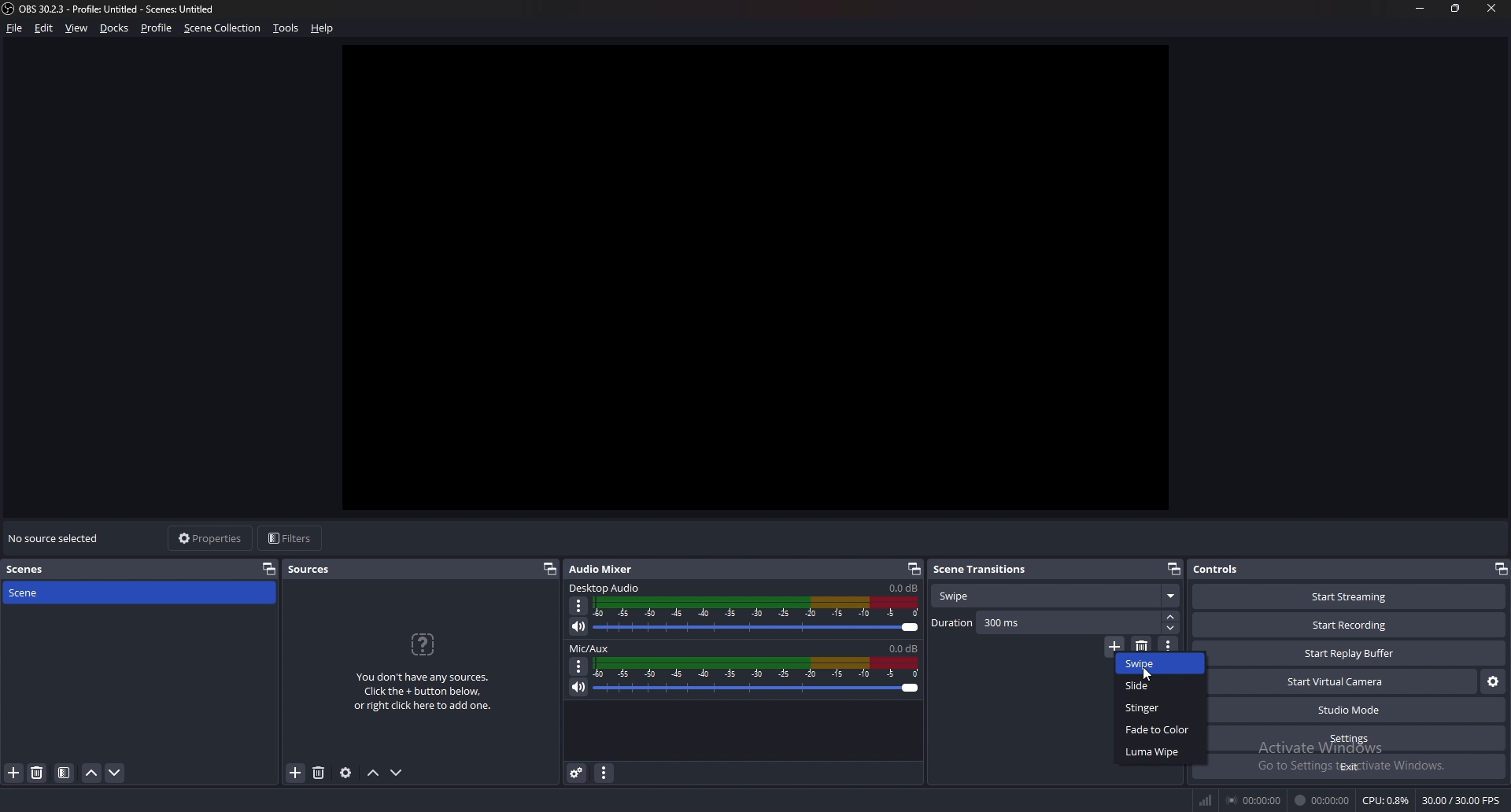  Describe the element at coordinates (1356, 710) in the screenshot. I see `studio mode` at that location.